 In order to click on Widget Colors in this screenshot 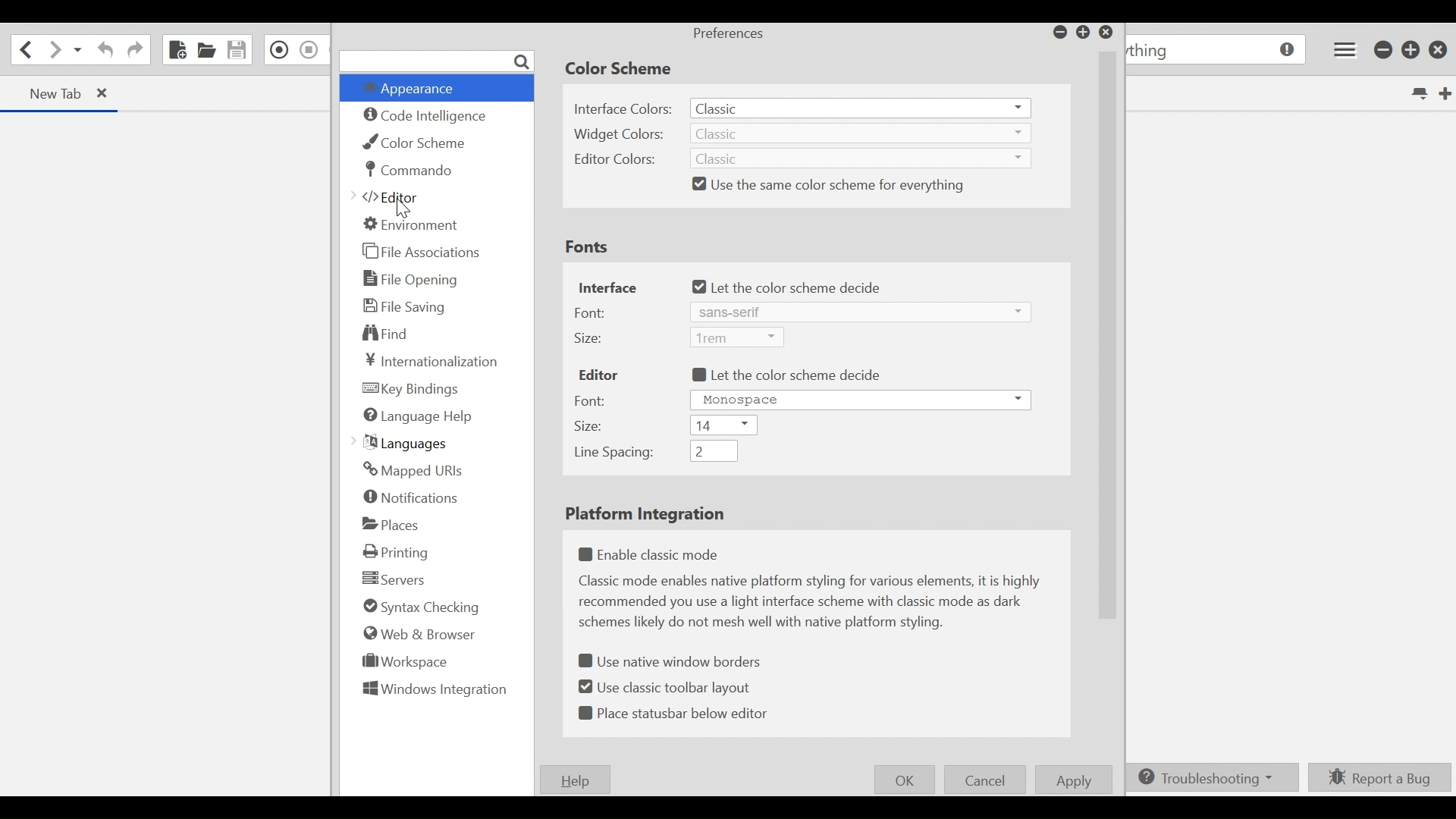, I will do `click(620, 134)`.